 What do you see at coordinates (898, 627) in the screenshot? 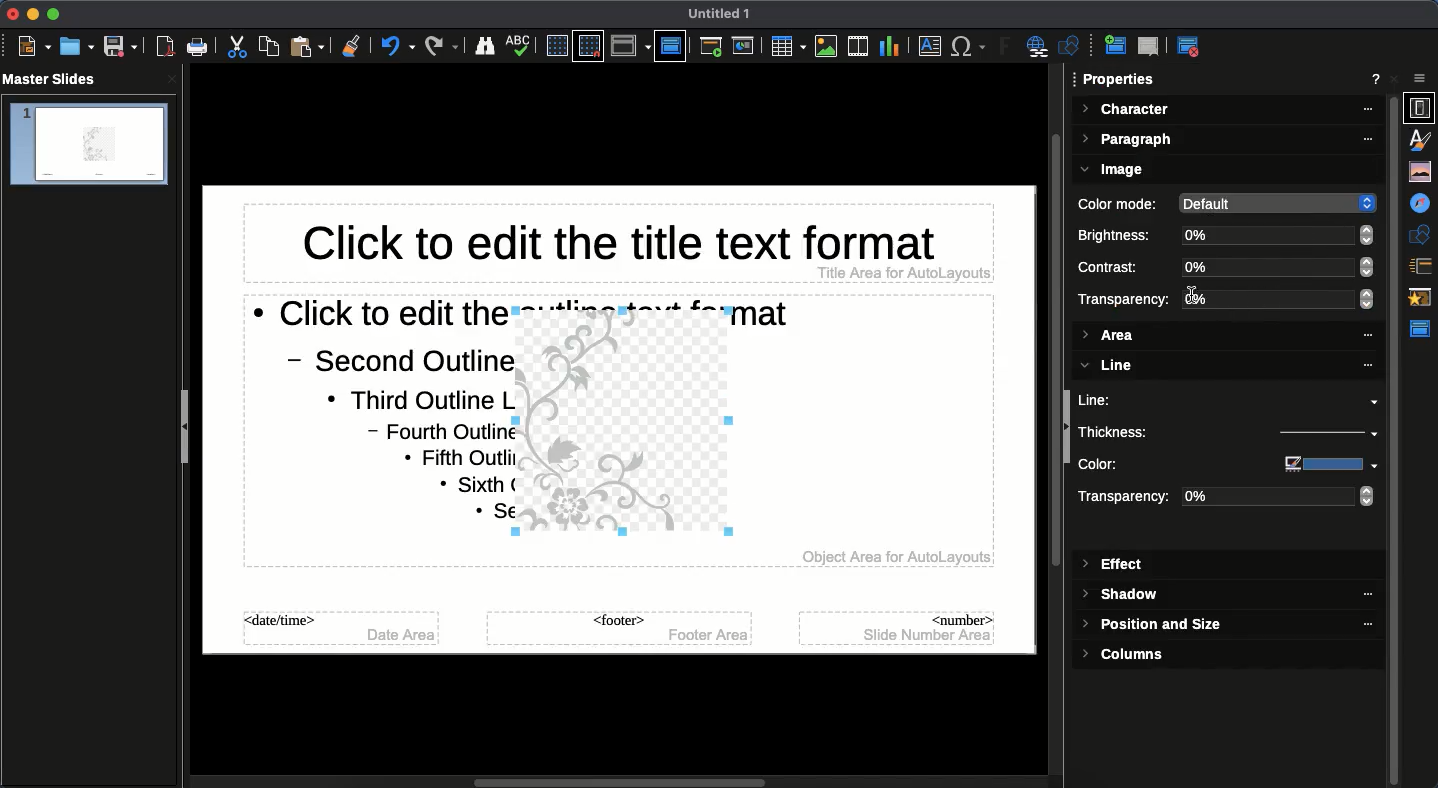
I see `Master slide number` at bounding box center [898, 627].